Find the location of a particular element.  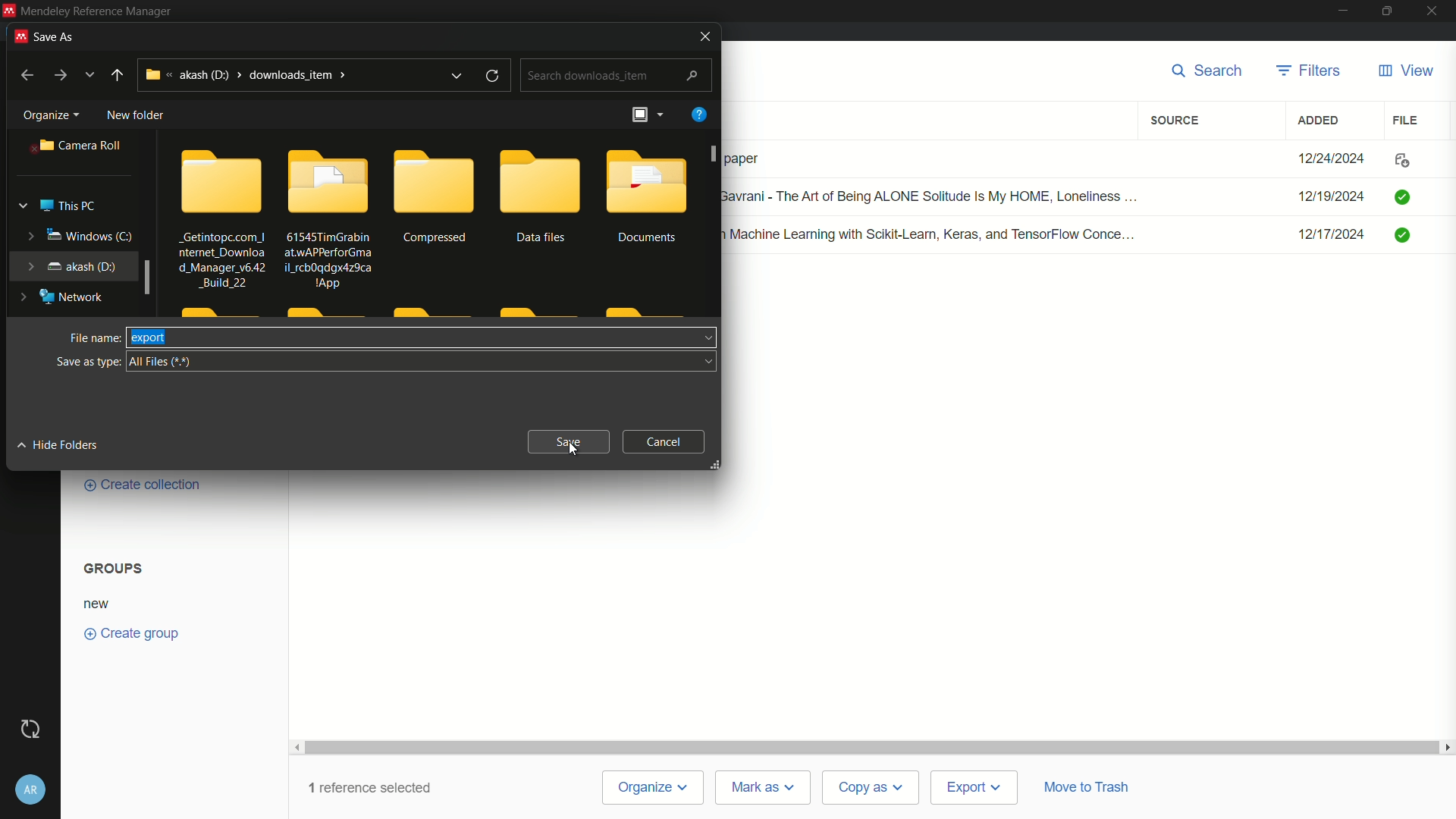

this pc is located at coordinates (55, 206).